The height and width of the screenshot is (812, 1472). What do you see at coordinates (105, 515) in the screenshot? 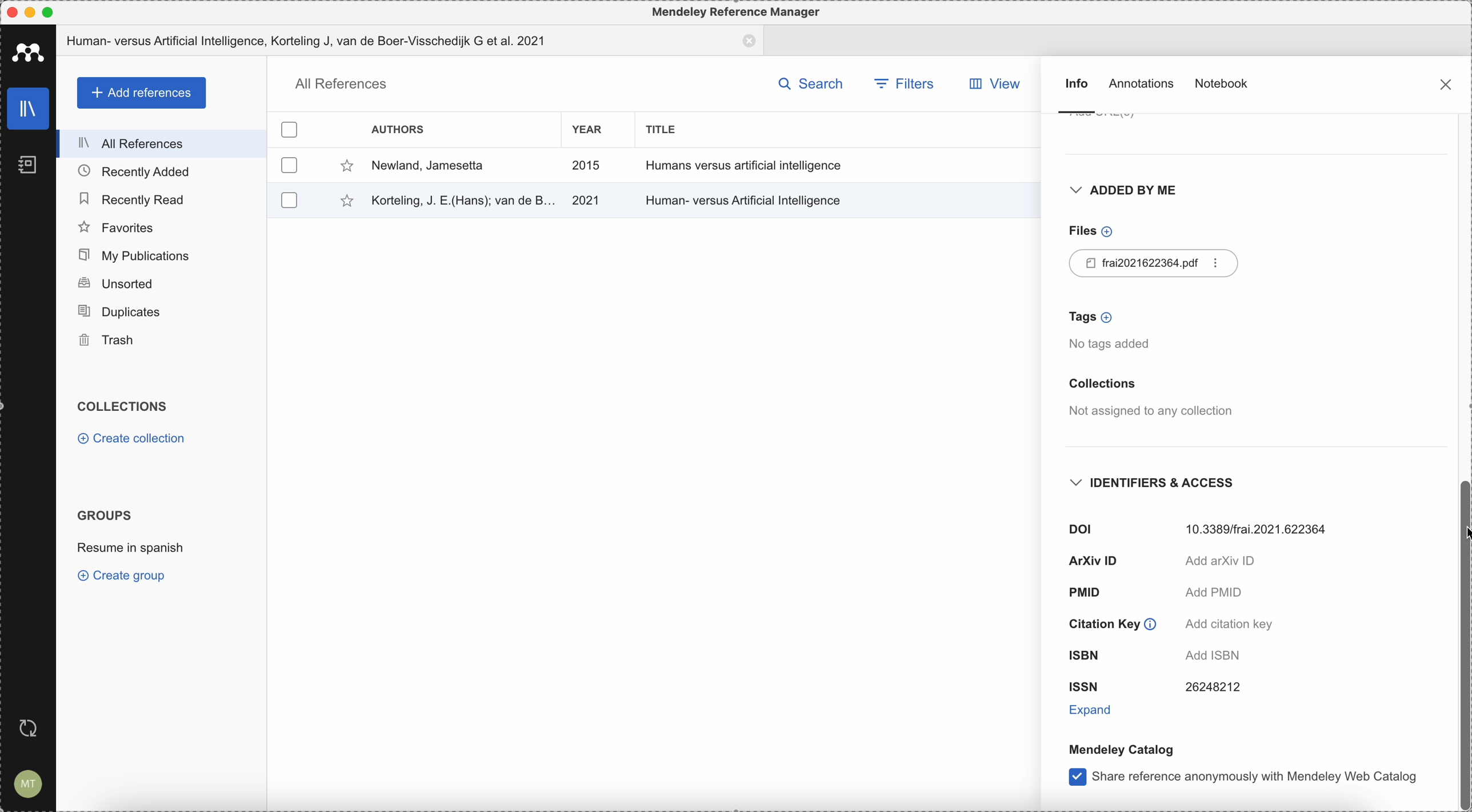
I see `groups` at bounding box center [105, 515].